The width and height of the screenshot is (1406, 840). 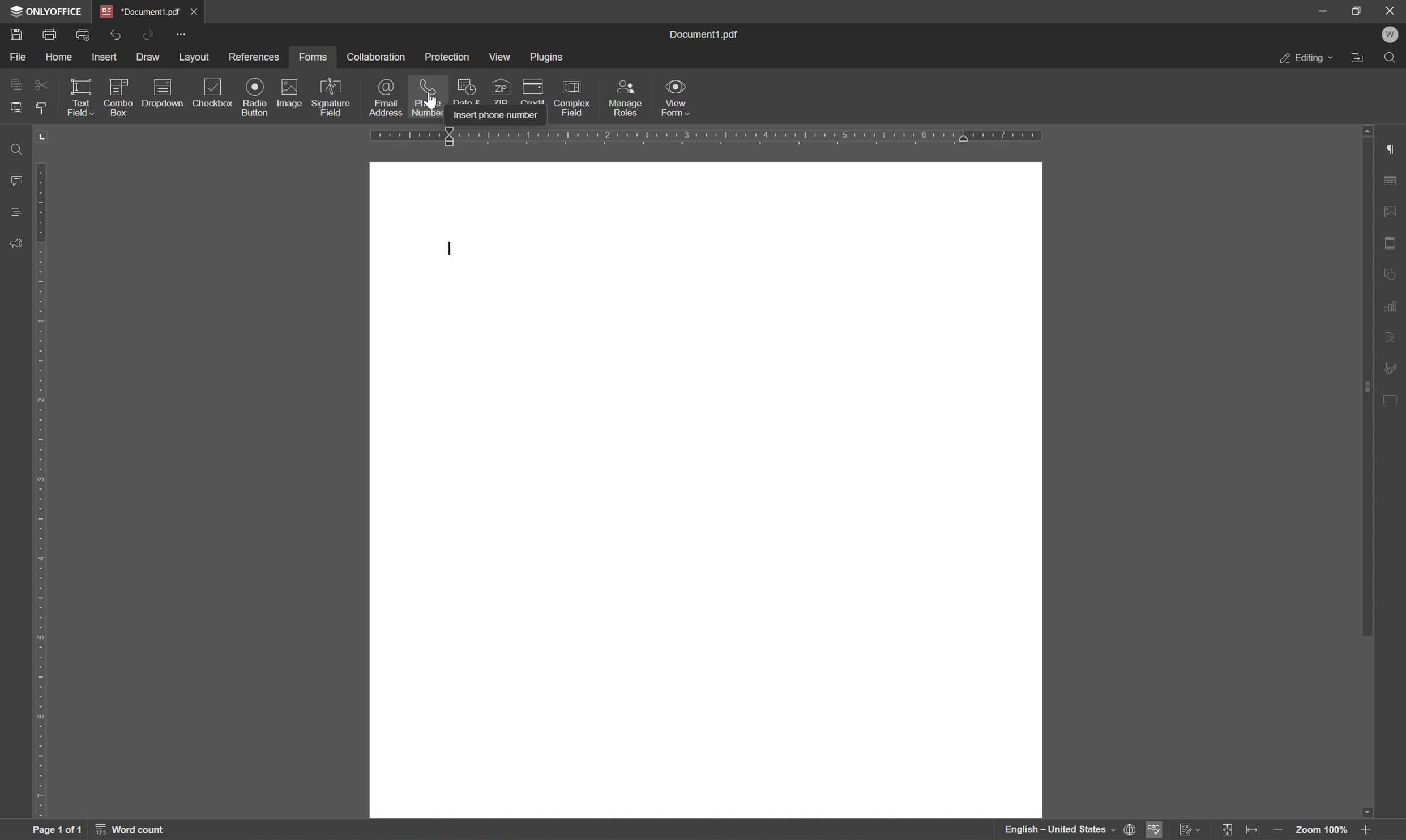 What do you see at coordinates (15, 32) in the screenshot?
I see `print` at bounding box center [15, 32].